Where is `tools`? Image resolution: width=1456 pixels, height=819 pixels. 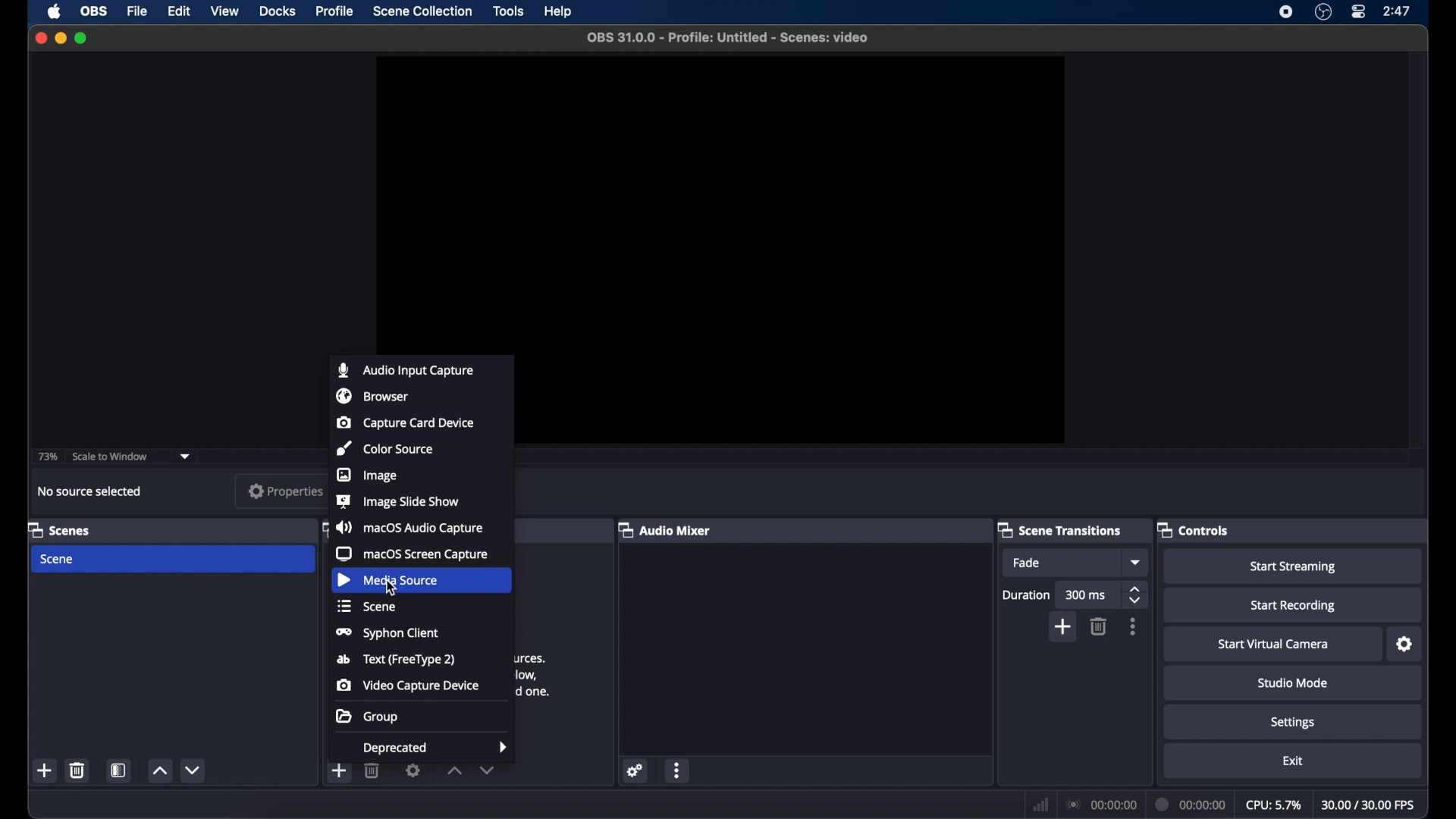
tools is located at coordinates (510, 11).